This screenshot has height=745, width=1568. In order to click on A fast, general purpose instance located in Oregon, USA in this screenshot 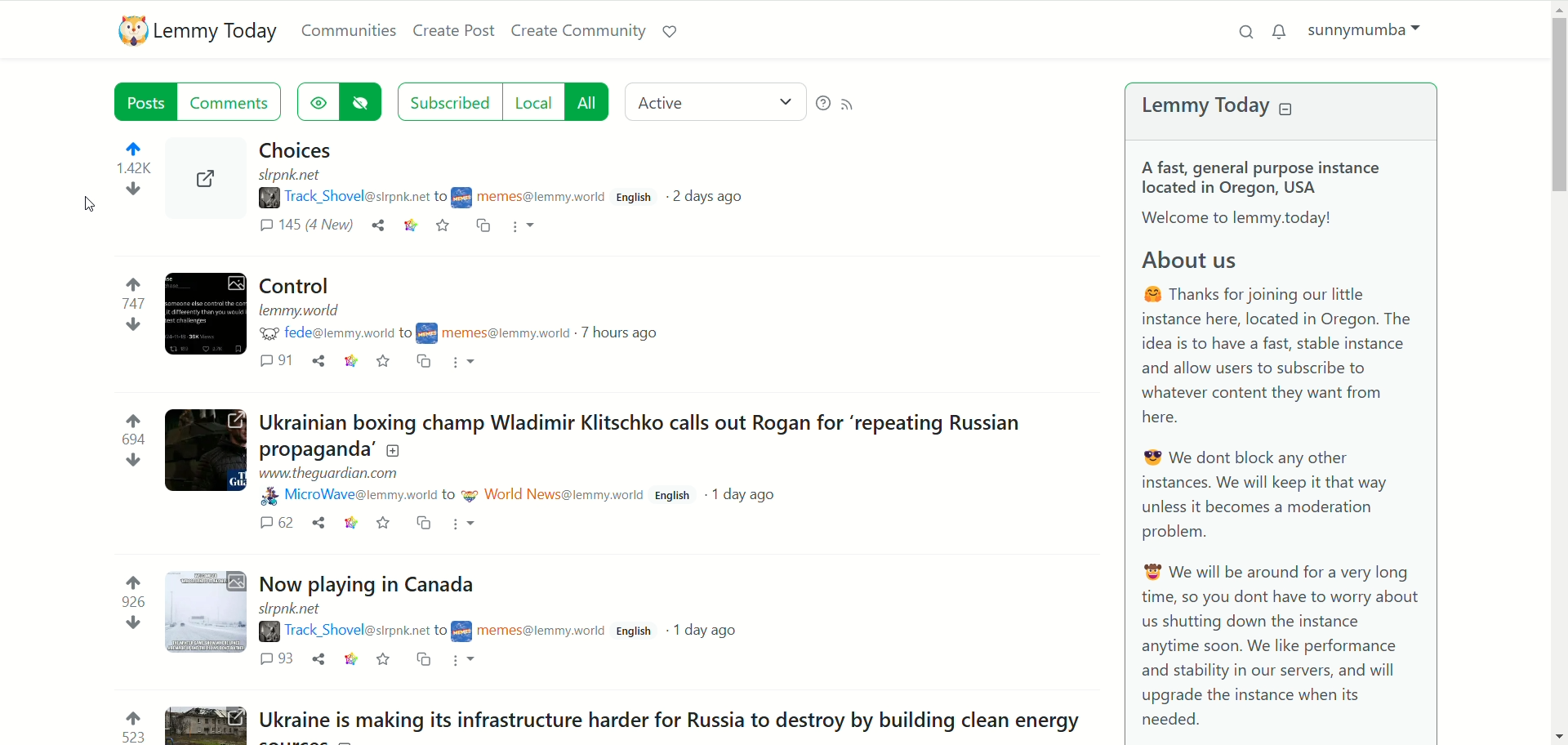, I will do `click(1263, 177)`.